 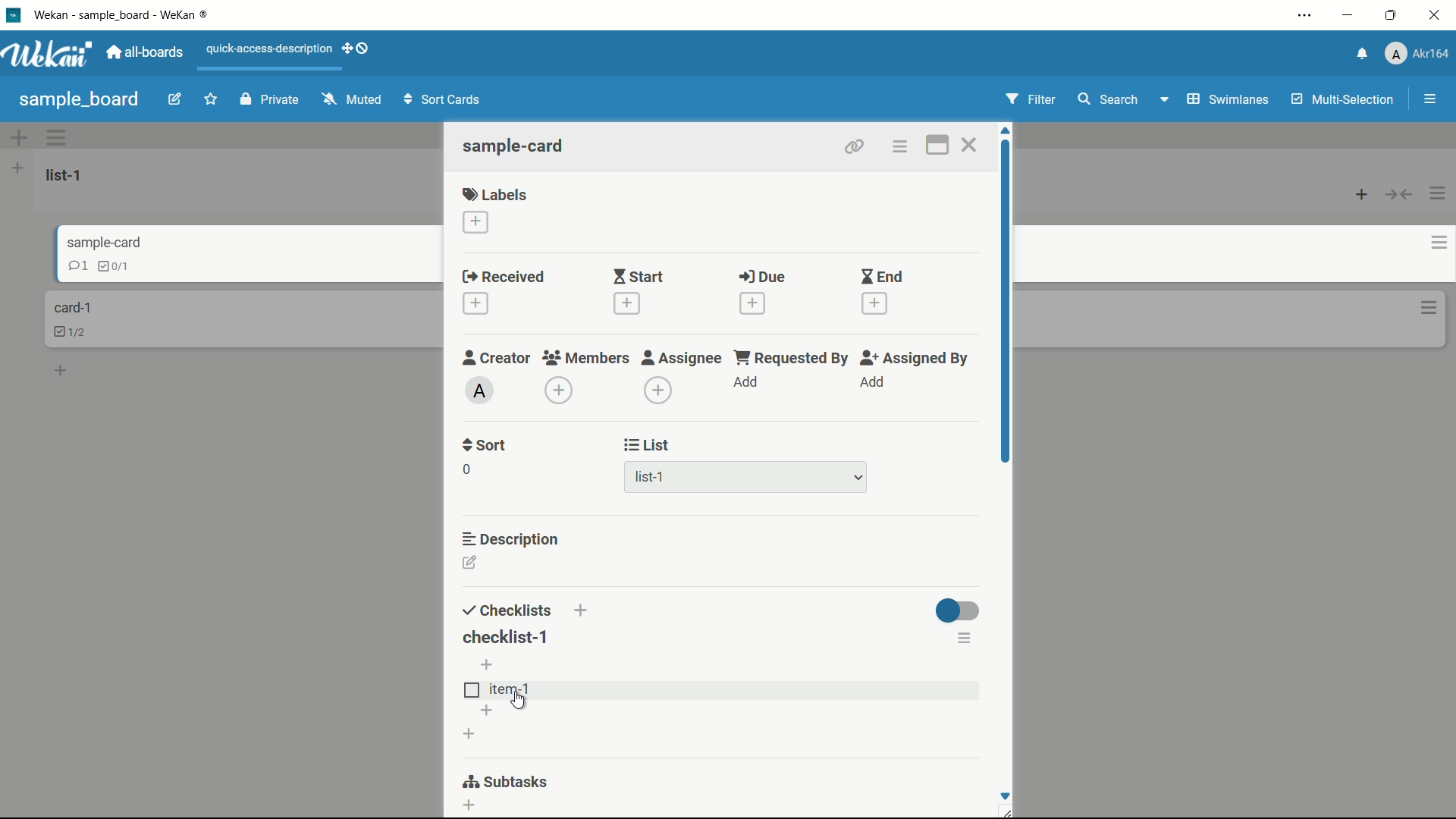 What do you see at coordinates (657, 391) in the screenshot?
I see `dd assignee` at bounding box center [657, 391].